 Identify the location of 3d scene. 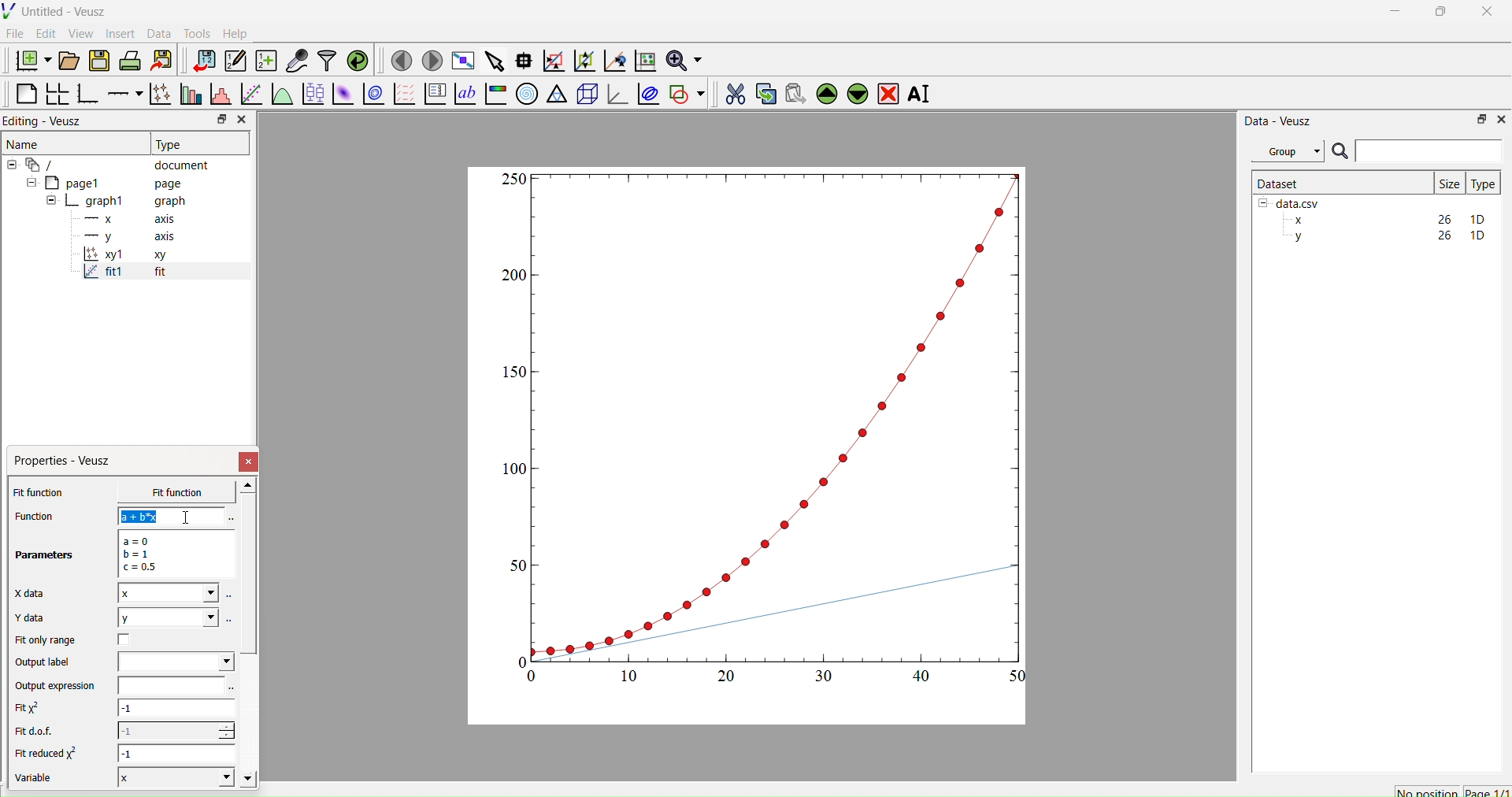
(585, 91).